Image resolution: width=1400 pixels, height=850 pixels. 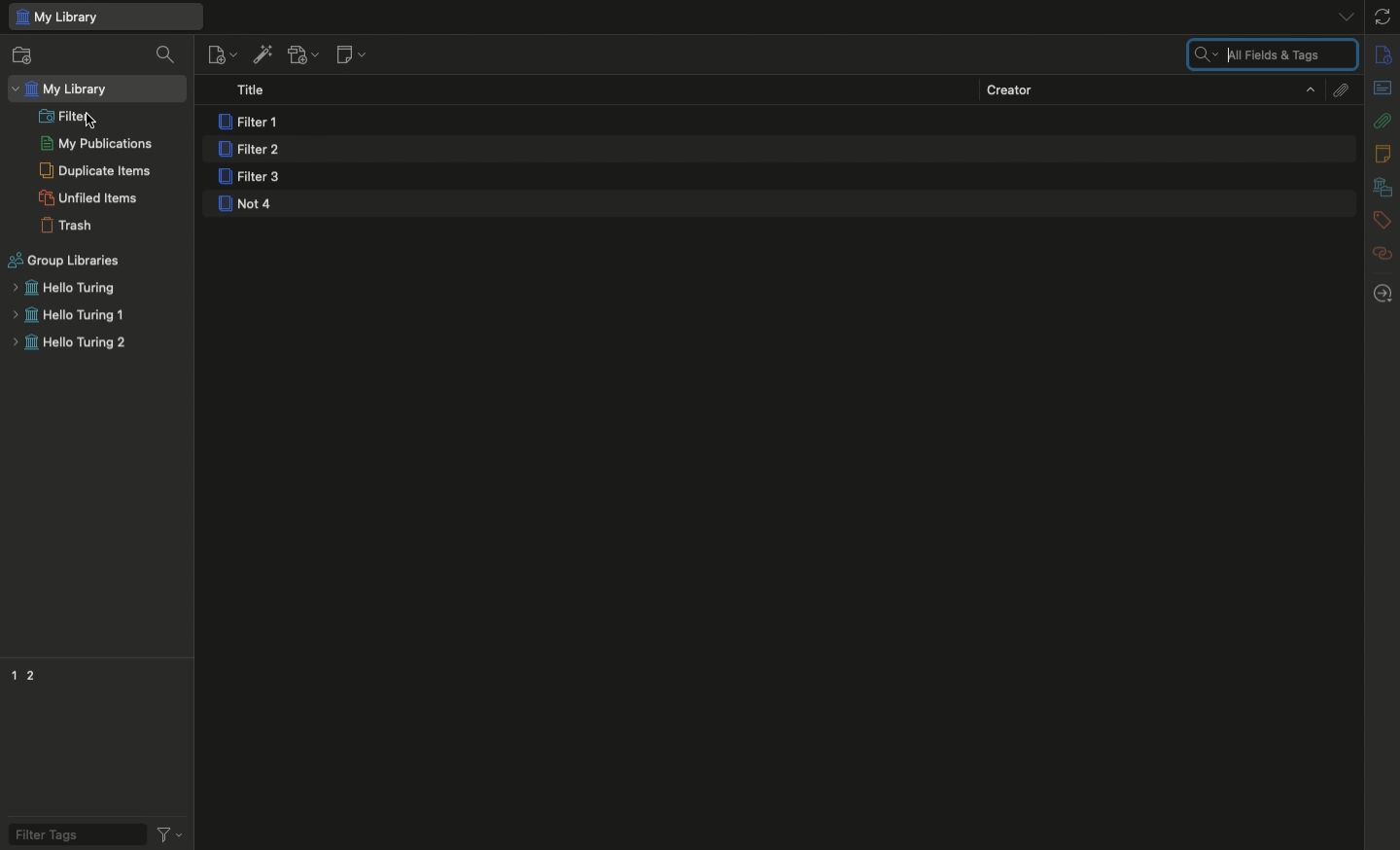 What do you see at coordinates (96, 145) in the screenshot?
I see `My publications` at bounding box center [96, 145].